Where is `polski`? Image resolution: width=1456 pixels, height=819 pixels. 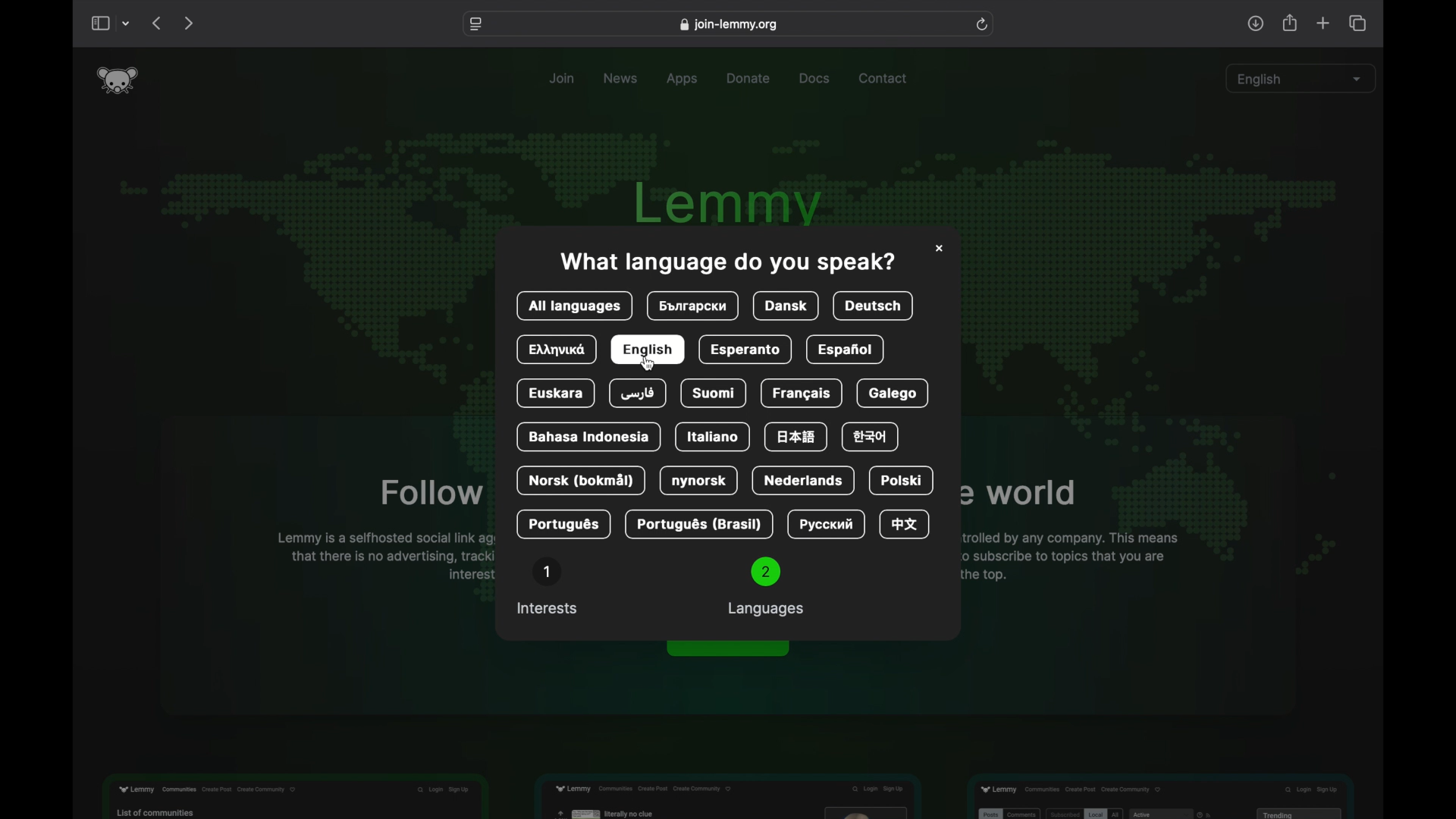 polski is located at coordinates (900, 481).